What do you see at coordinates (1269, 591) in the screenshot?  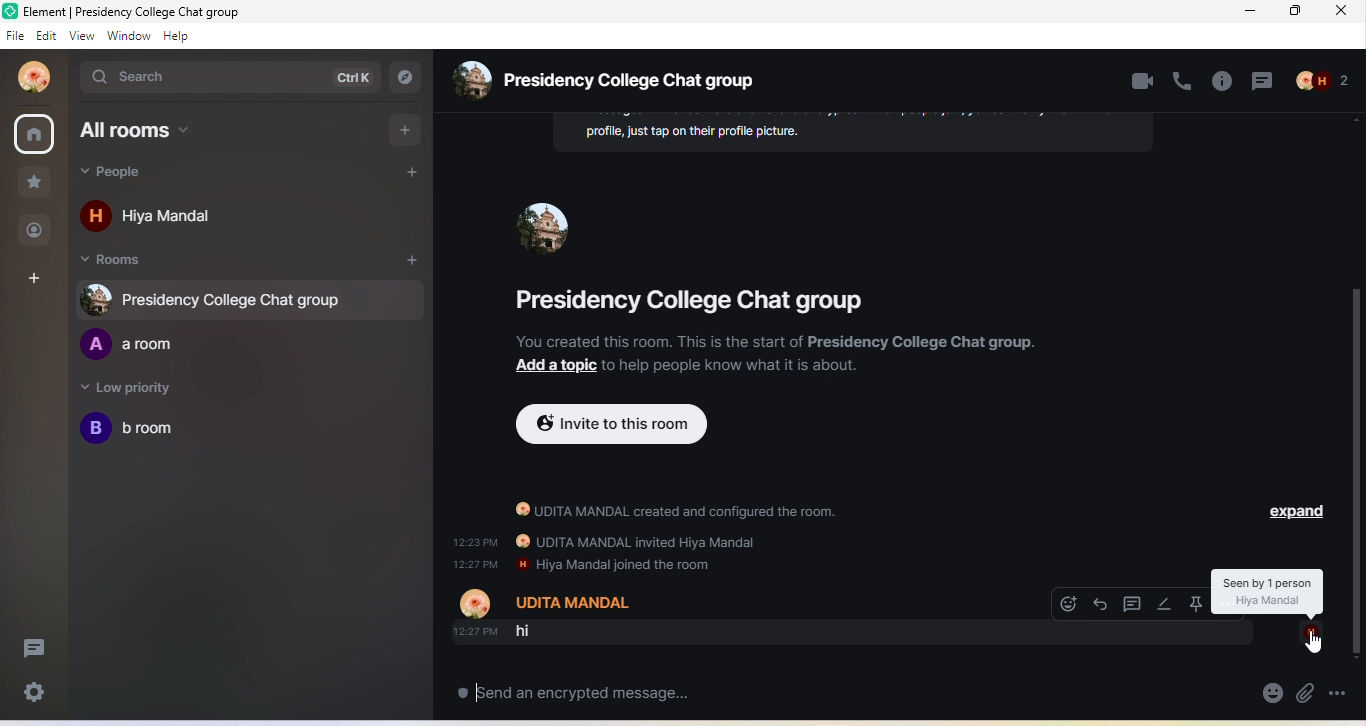 I see `Checked message seen by 1 members ` at bounding box center [1269, 591].